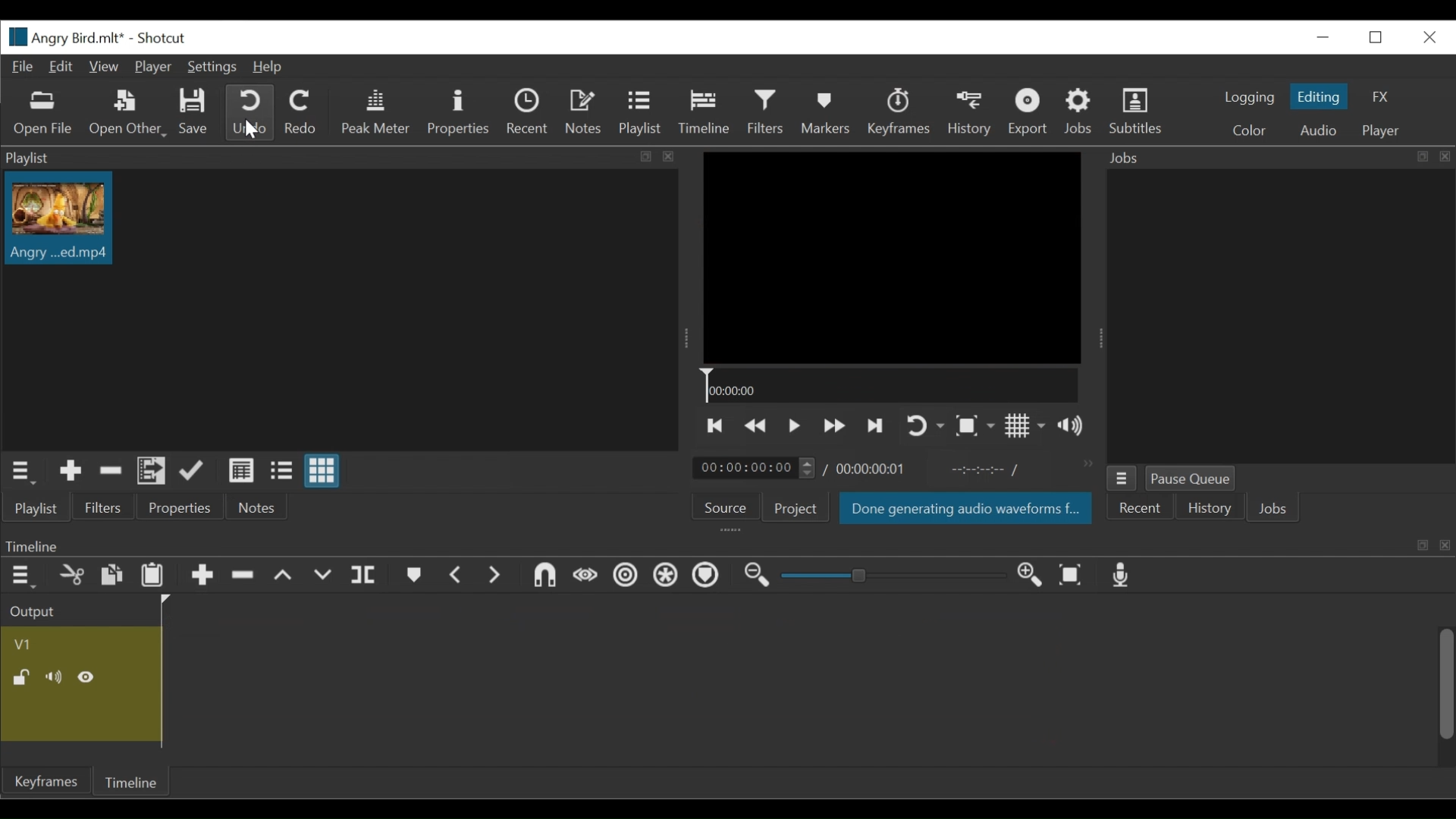 The image size is (1456, 819). I want to click on Redo, so click(302, 111).